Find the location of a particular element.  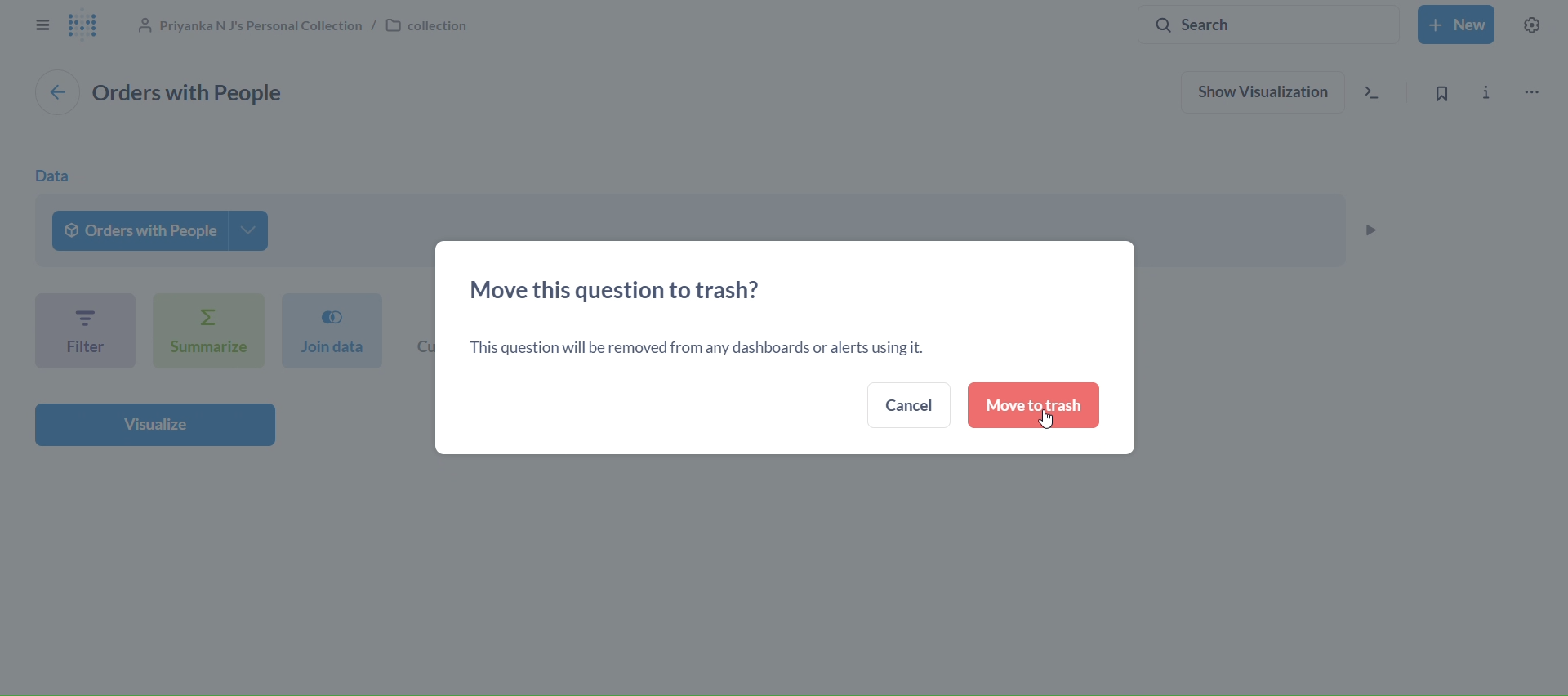

close sidebar is located at coordinates (42, 25).